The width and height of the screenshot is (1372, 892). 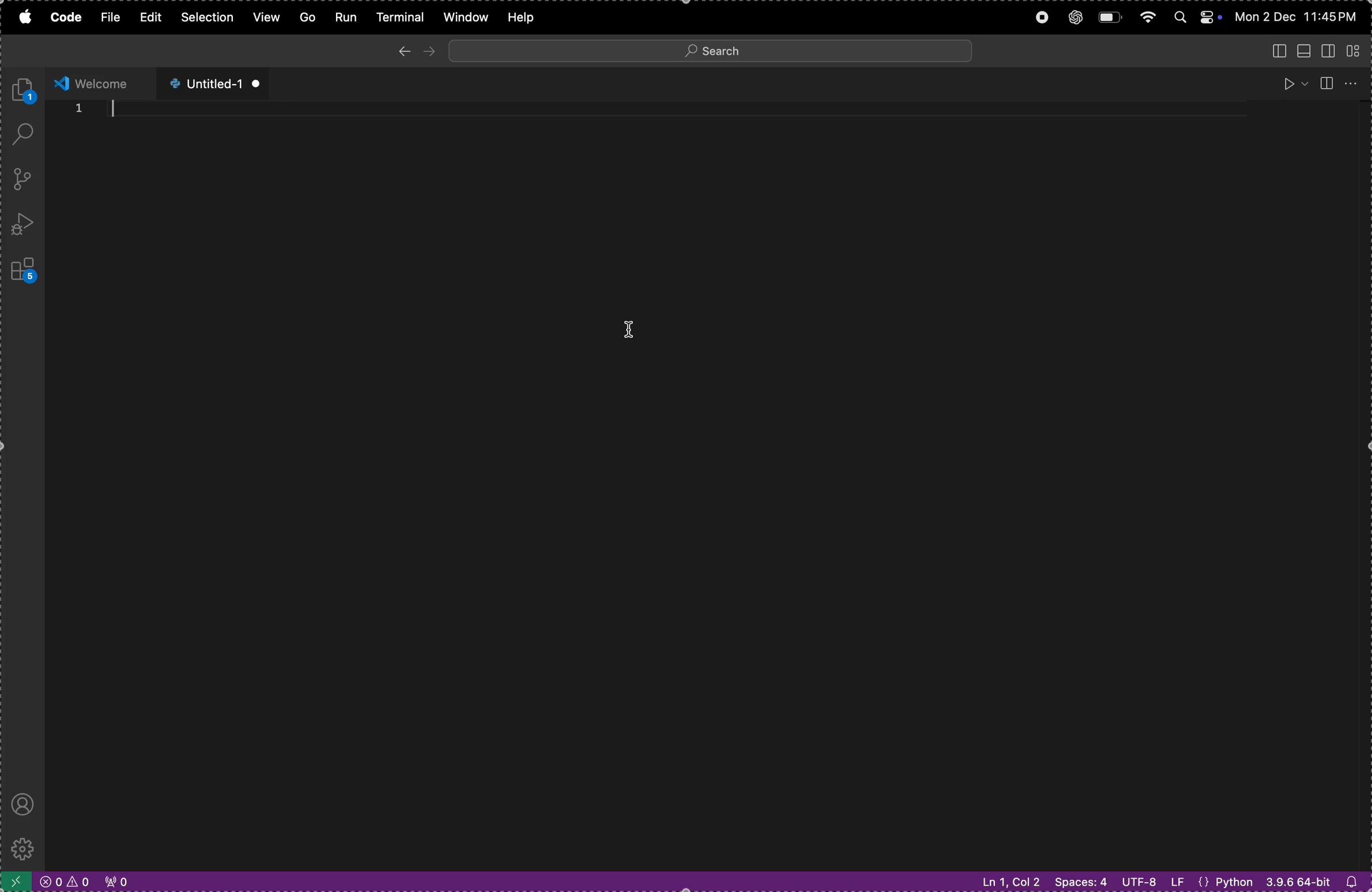 What do you see at coordinates (78, 109) in the screenshot?
I see `1` at bounding box center [78, 109].